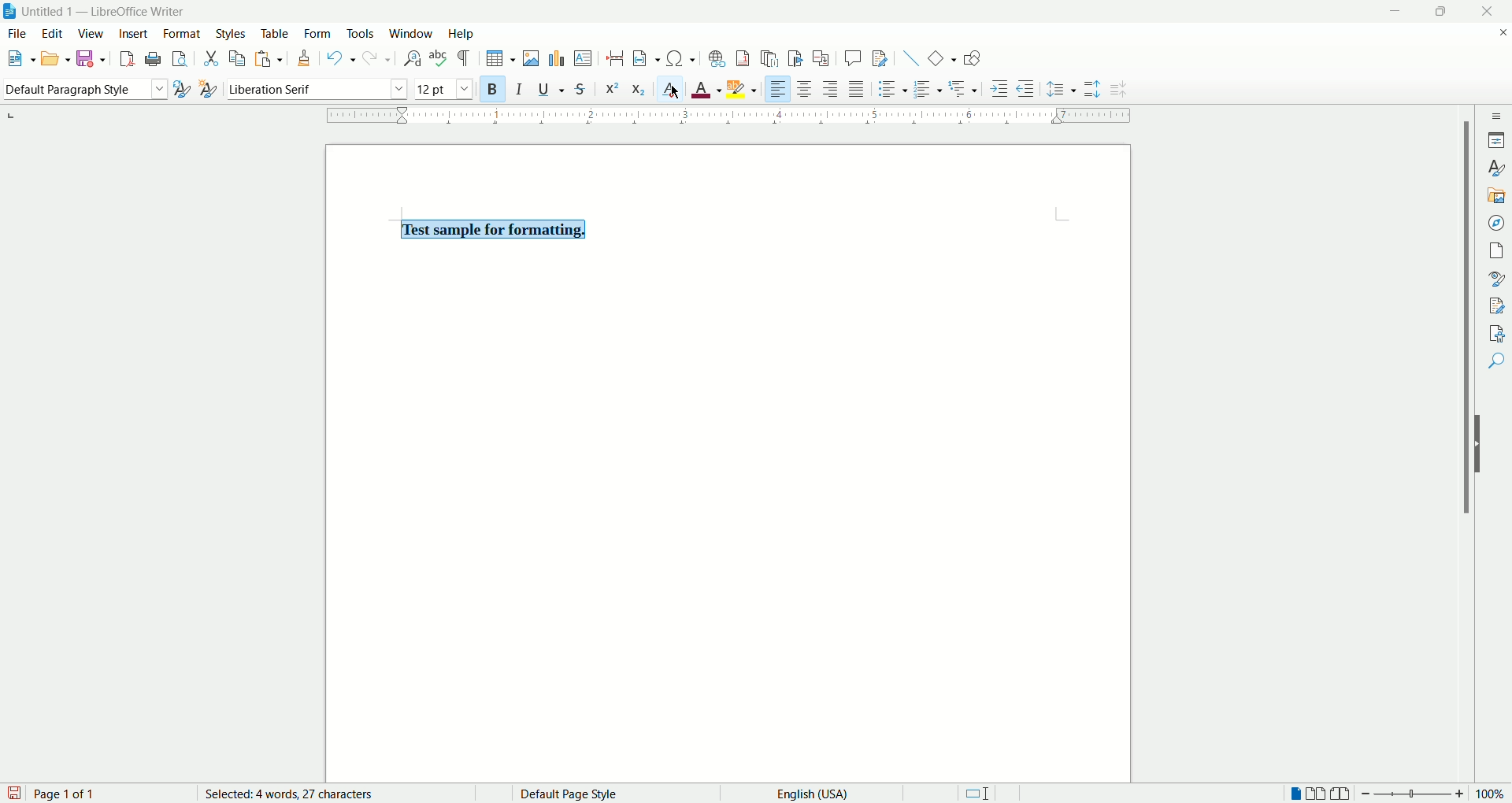 Image resolution: width=1512 pixels, height=803 pixels. I want to click on page break, so click(615, 56).